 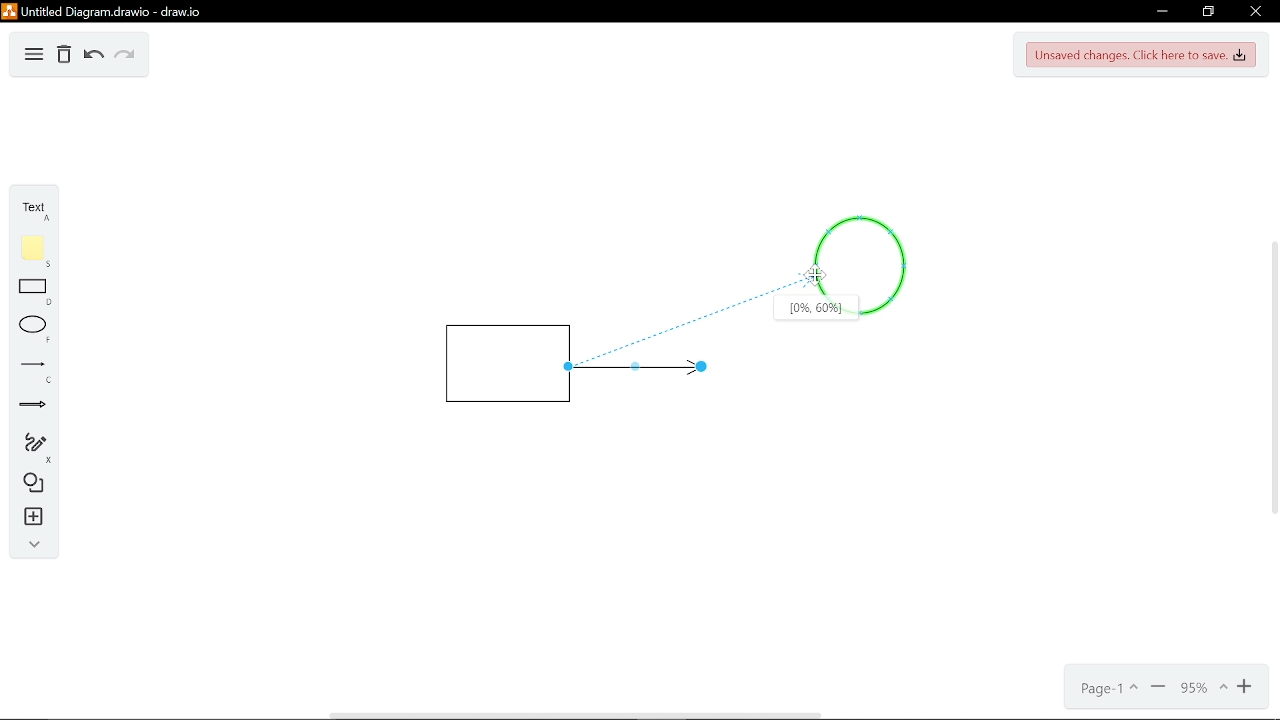 I want to click on Diagram, so click(x=30, y=482).